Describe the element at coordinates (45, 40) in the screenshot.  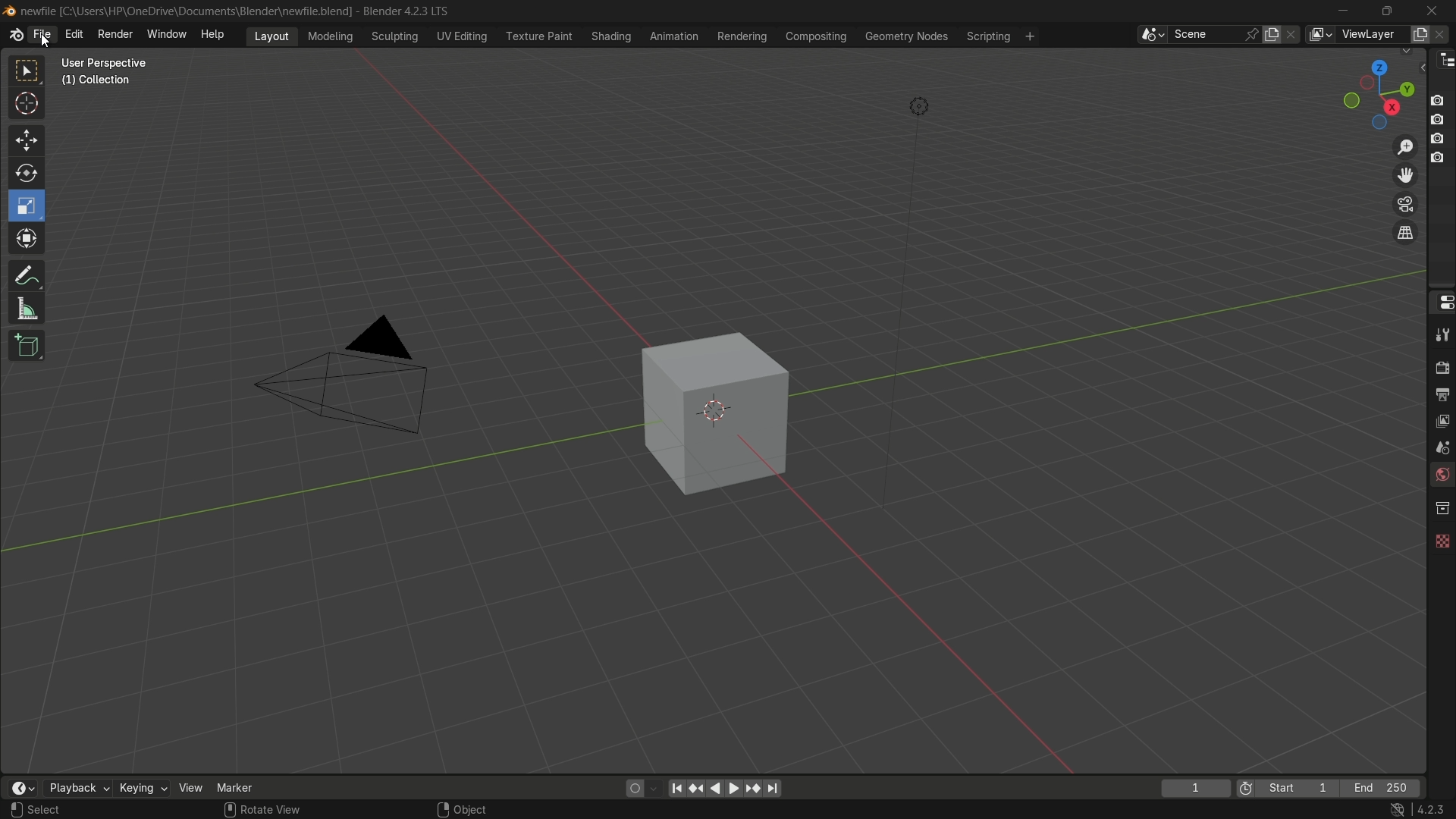
I see `Cursor` at that location.